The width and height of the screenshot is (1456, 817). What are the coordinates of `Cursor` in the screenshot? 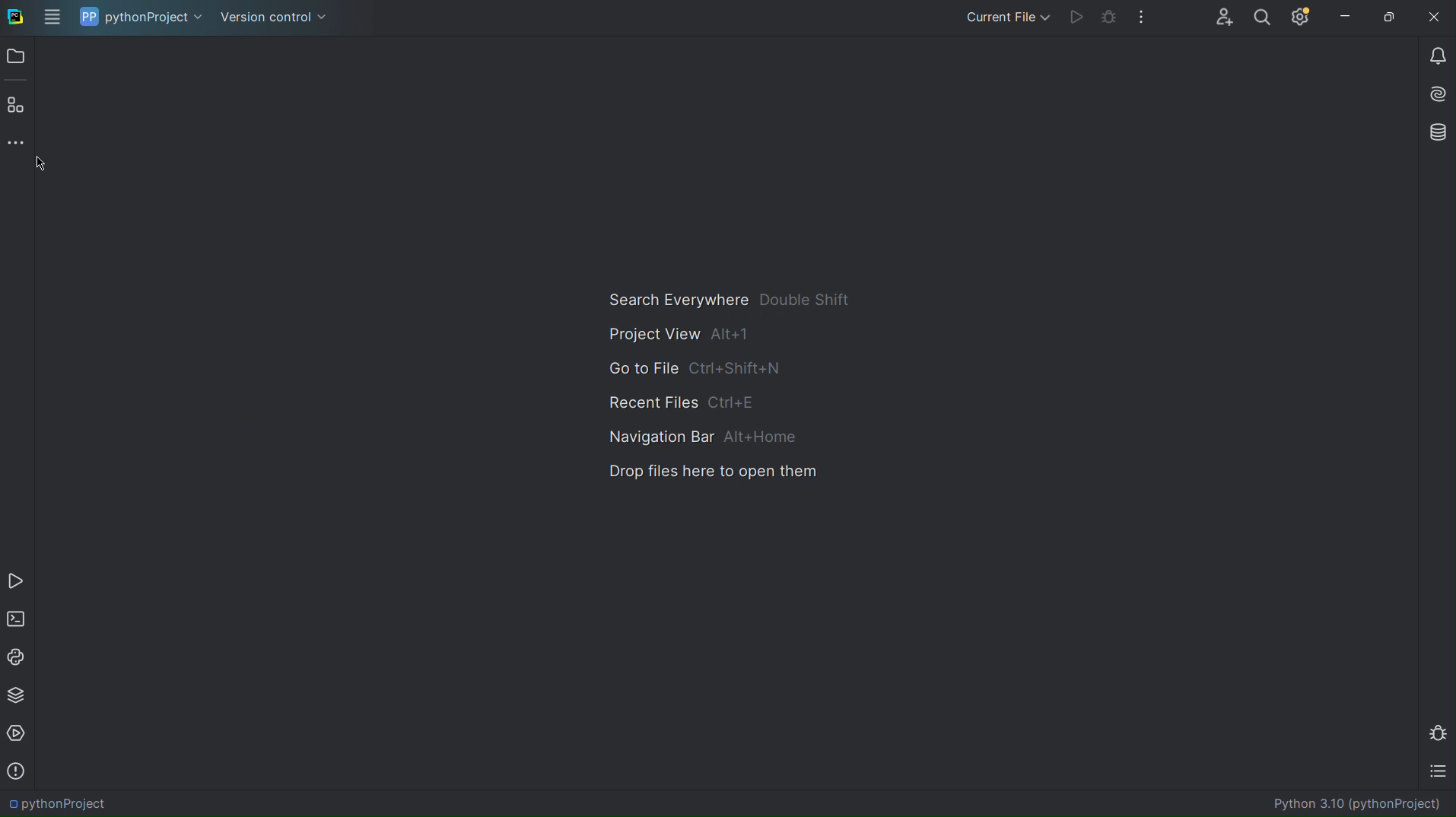 It's located at (61, 171).